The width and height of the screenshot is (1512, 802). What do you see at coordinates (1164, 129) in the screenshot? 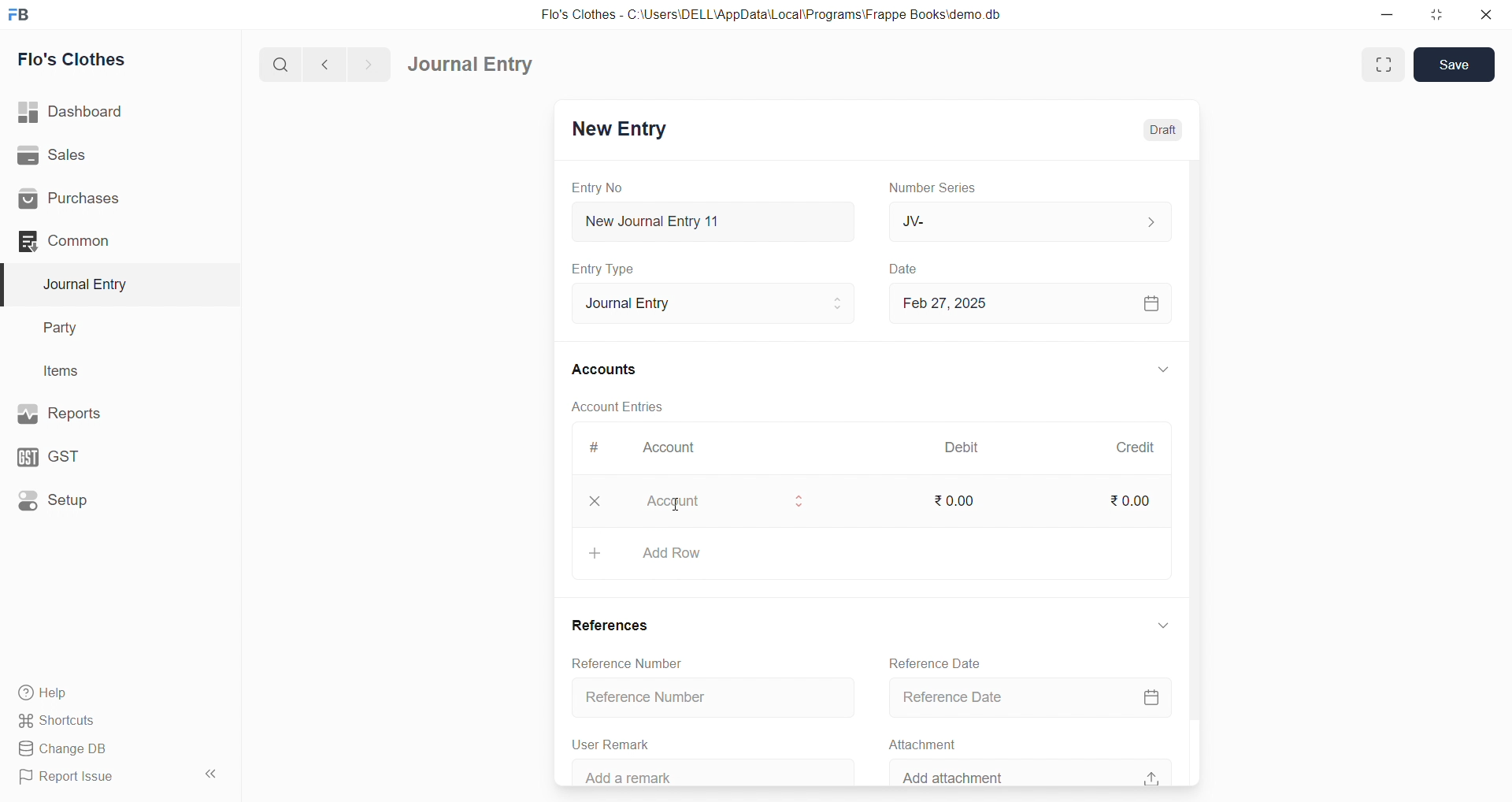
I see `Draft` at bounding box center [1164, 129].